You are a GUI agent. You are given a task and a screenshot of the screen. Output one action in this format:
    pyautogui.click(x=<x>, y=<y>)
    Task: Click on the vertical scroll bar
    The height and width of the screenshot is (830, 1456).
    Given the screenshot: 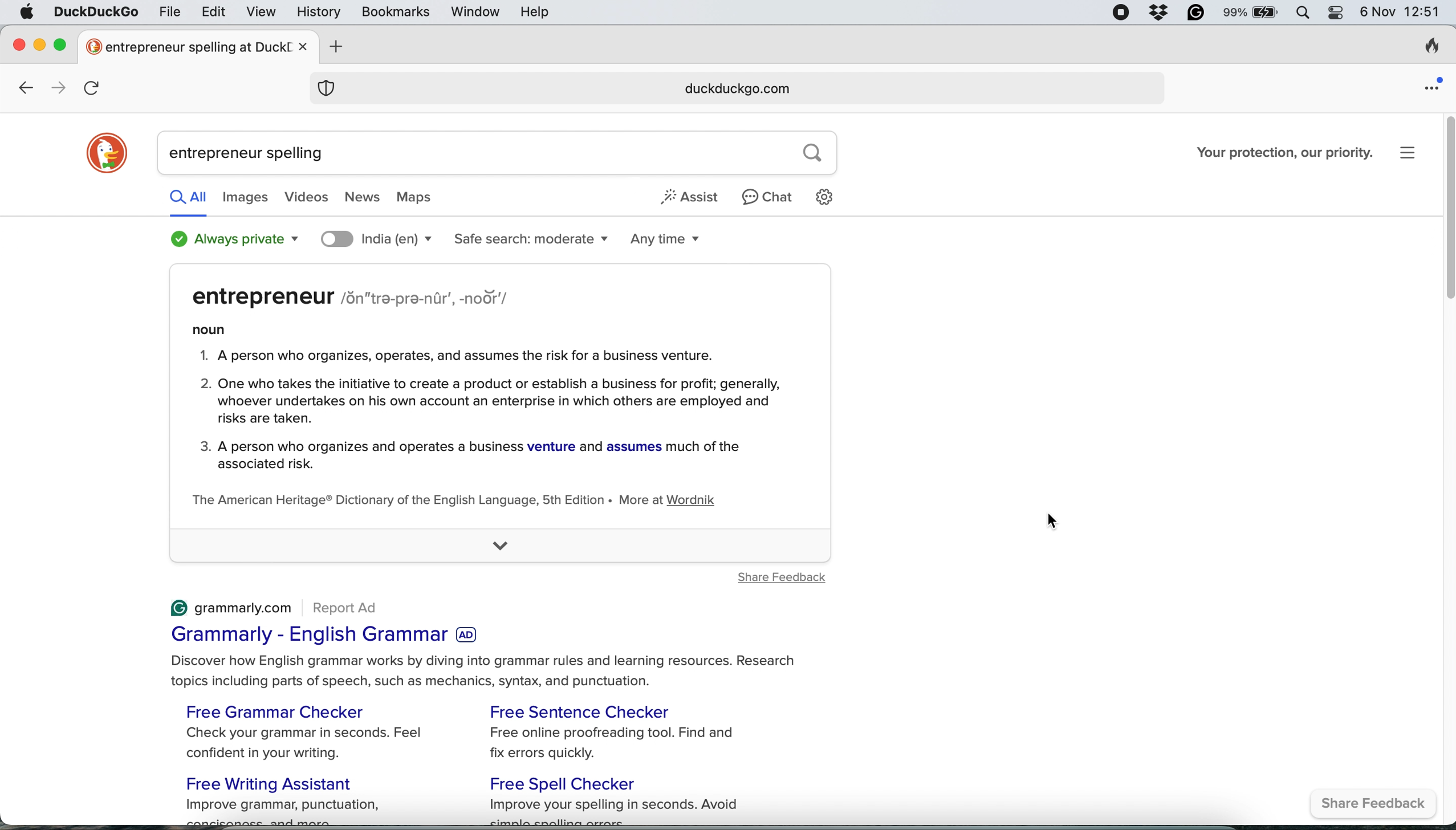 What is the action you would take?
    pyautogui.click(x=1446, y=207)
    